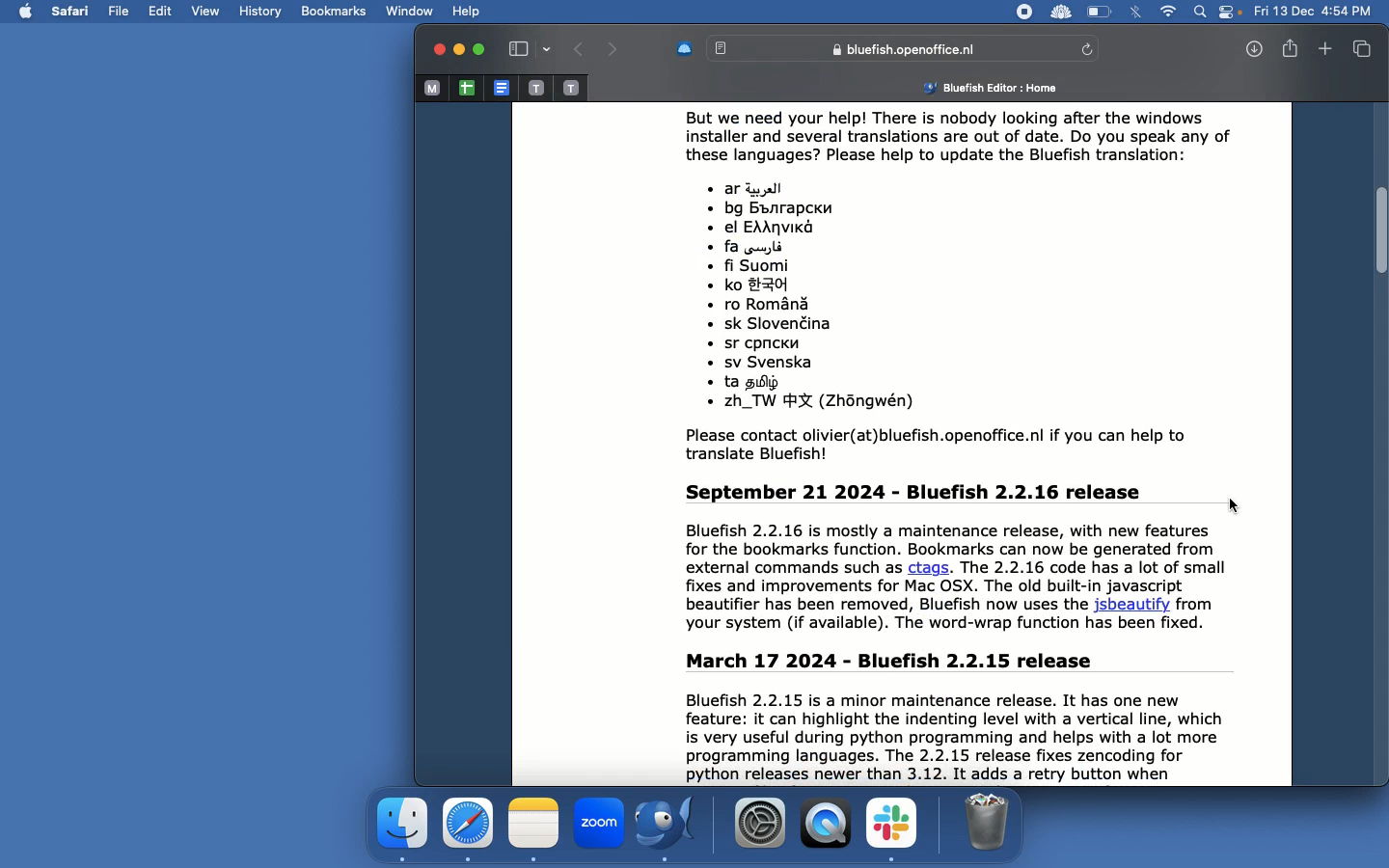 The height and width of the screenshot is (868, 1389). I want to click on Zoom, so click(602, 823).